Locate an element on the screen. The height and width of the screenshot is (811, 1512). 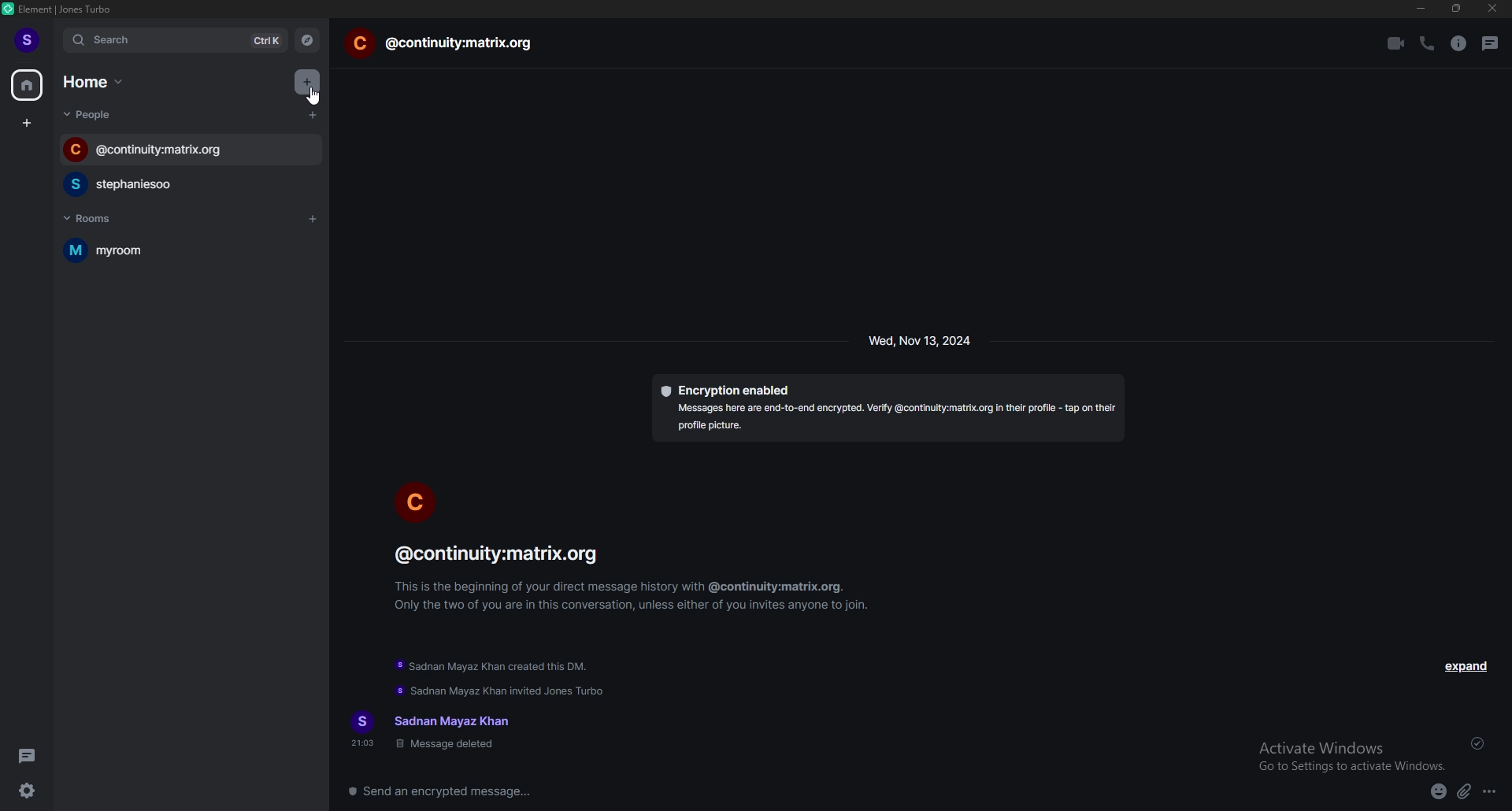
delivered is located at coordinates (1479, 743).